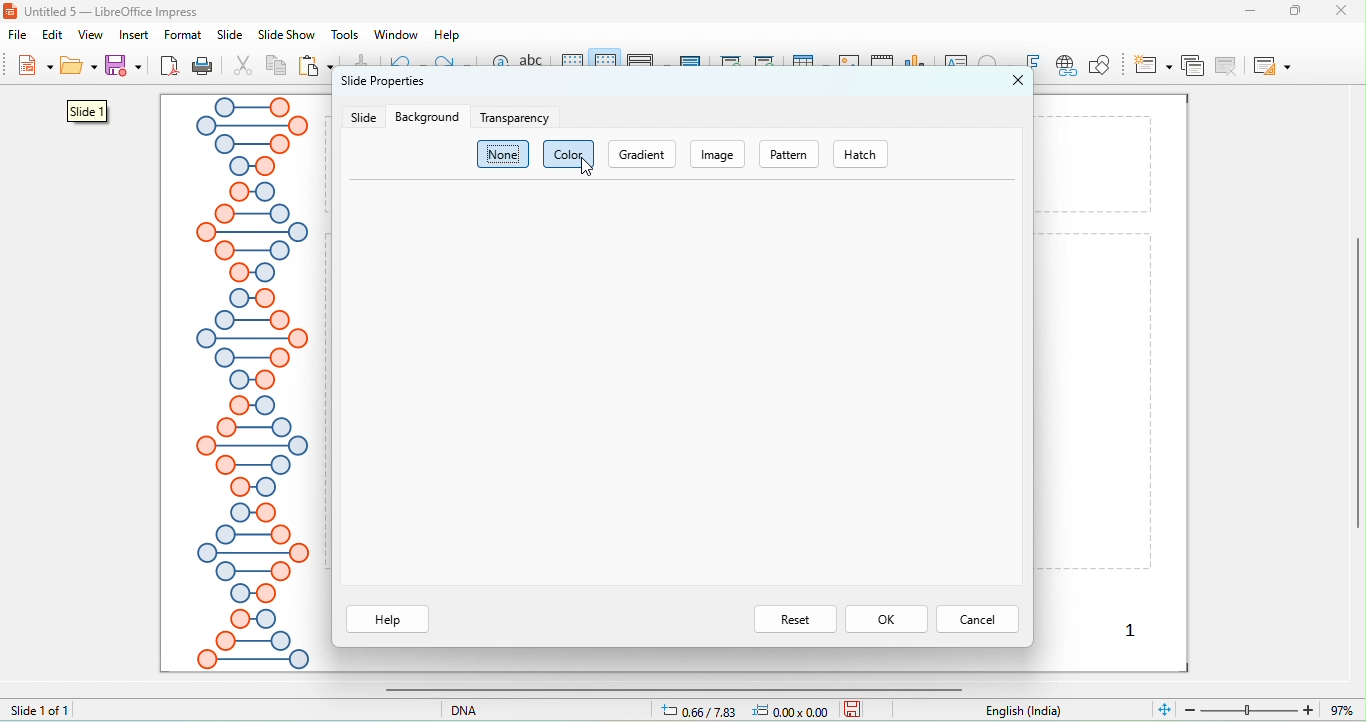  Describe the element at coordinates (998, 63) in the screenshot. I see `special characters` at that location.